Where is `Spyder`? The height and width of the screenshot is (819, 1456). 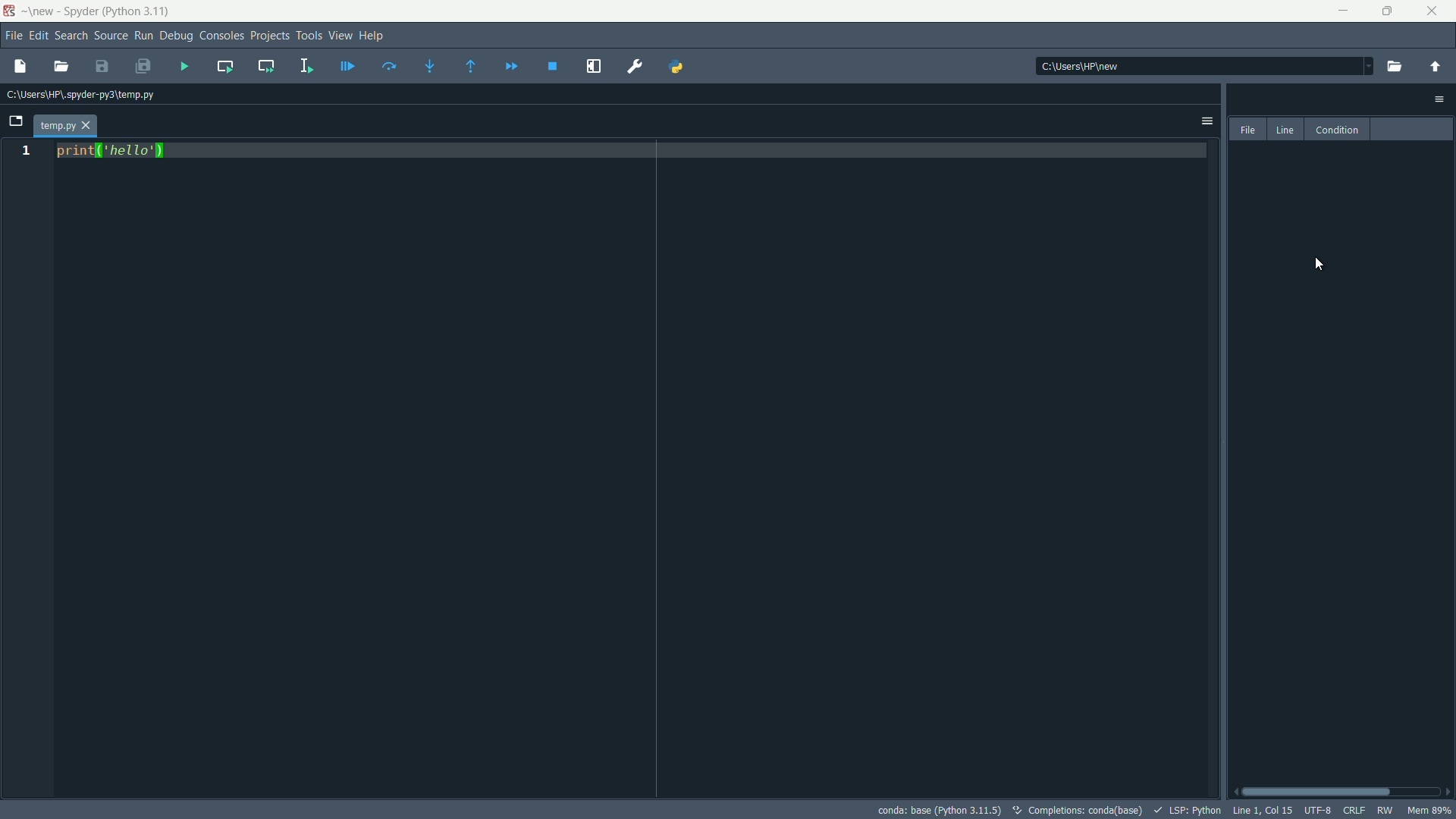 Spyder is located at coordinates (79, 13).